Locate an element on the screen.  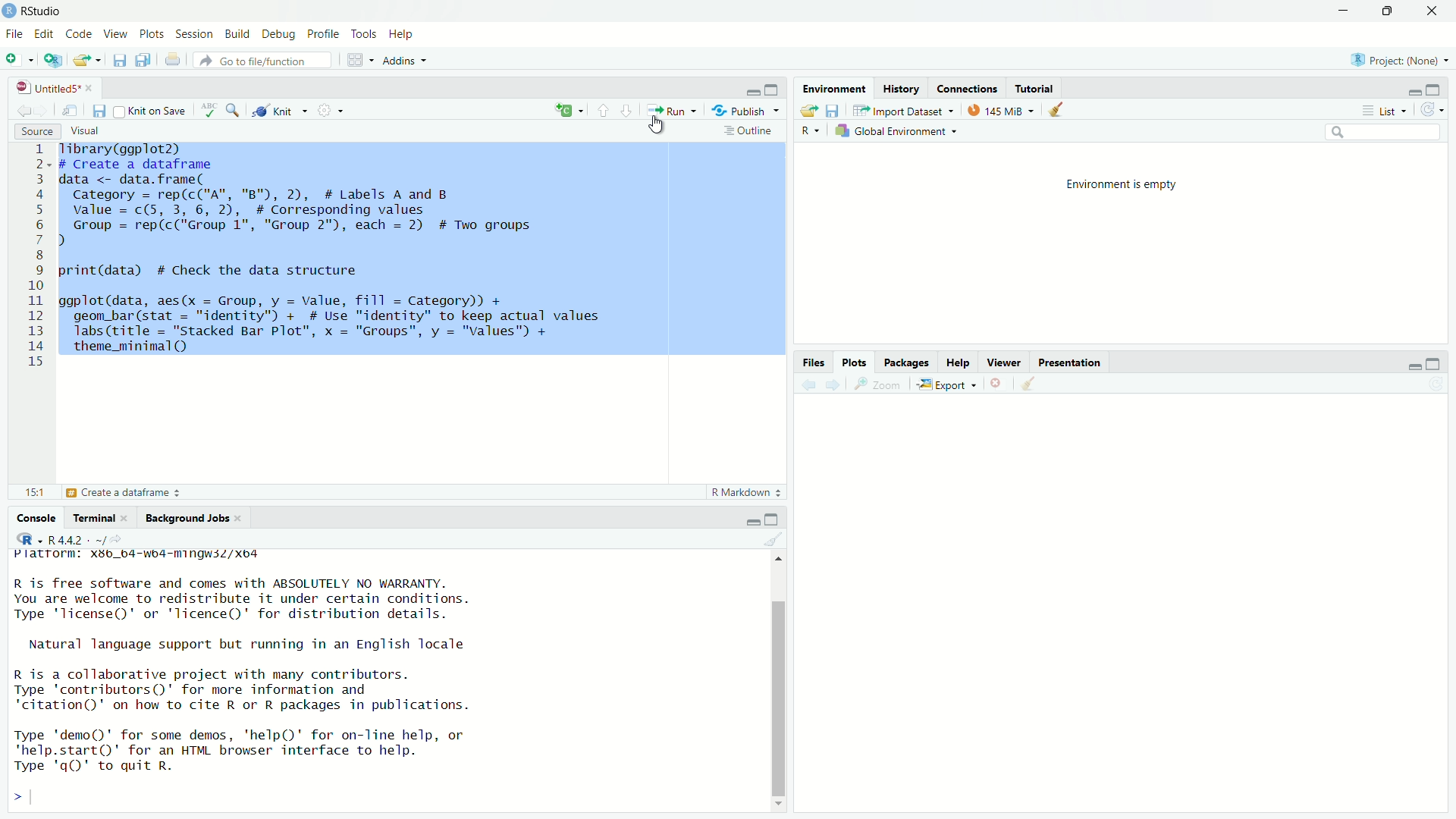
Go to file/function is located at coordinates (265, 60).